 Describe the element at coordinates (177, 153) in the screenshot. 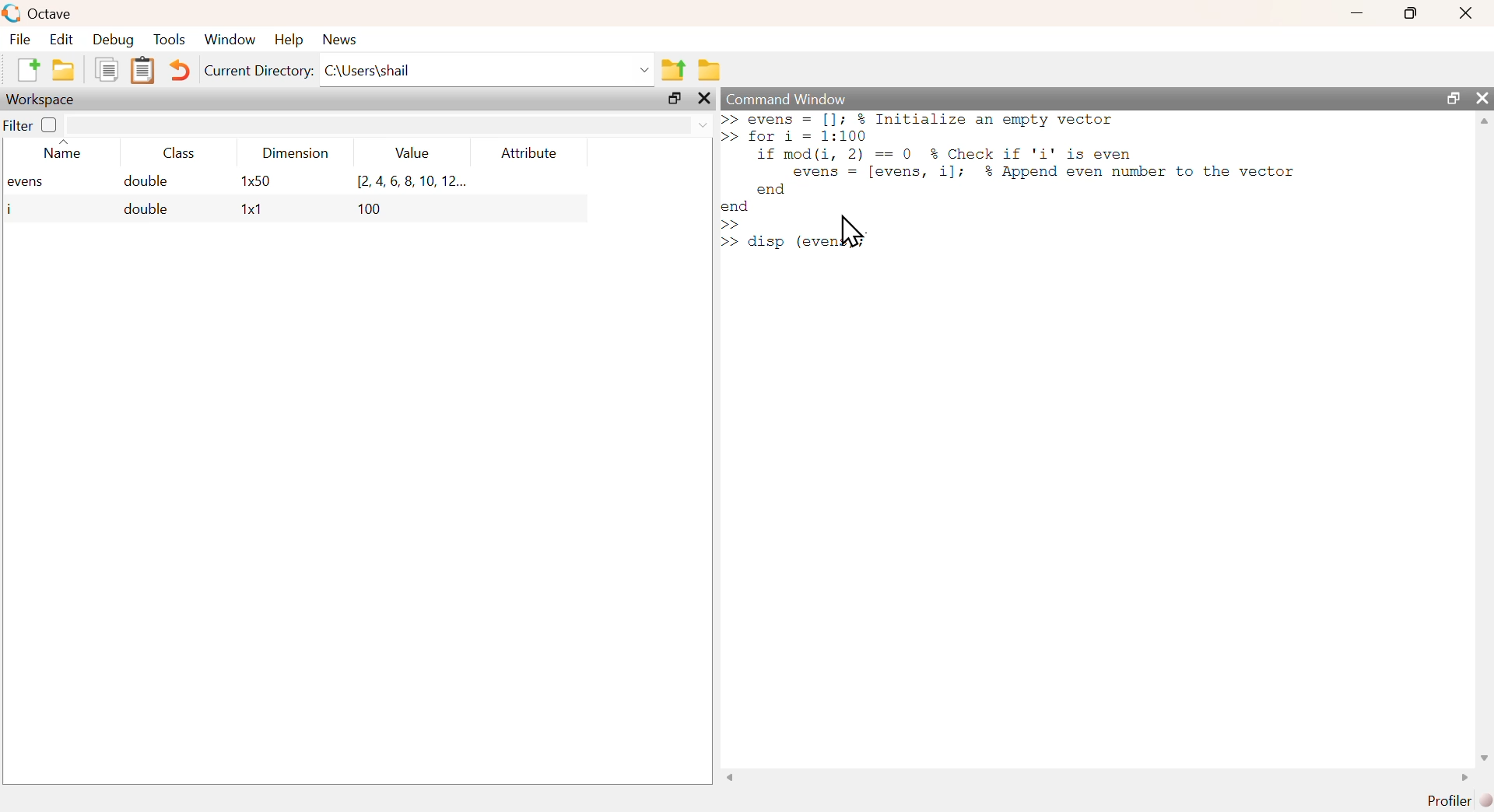

I see `class` at that location.